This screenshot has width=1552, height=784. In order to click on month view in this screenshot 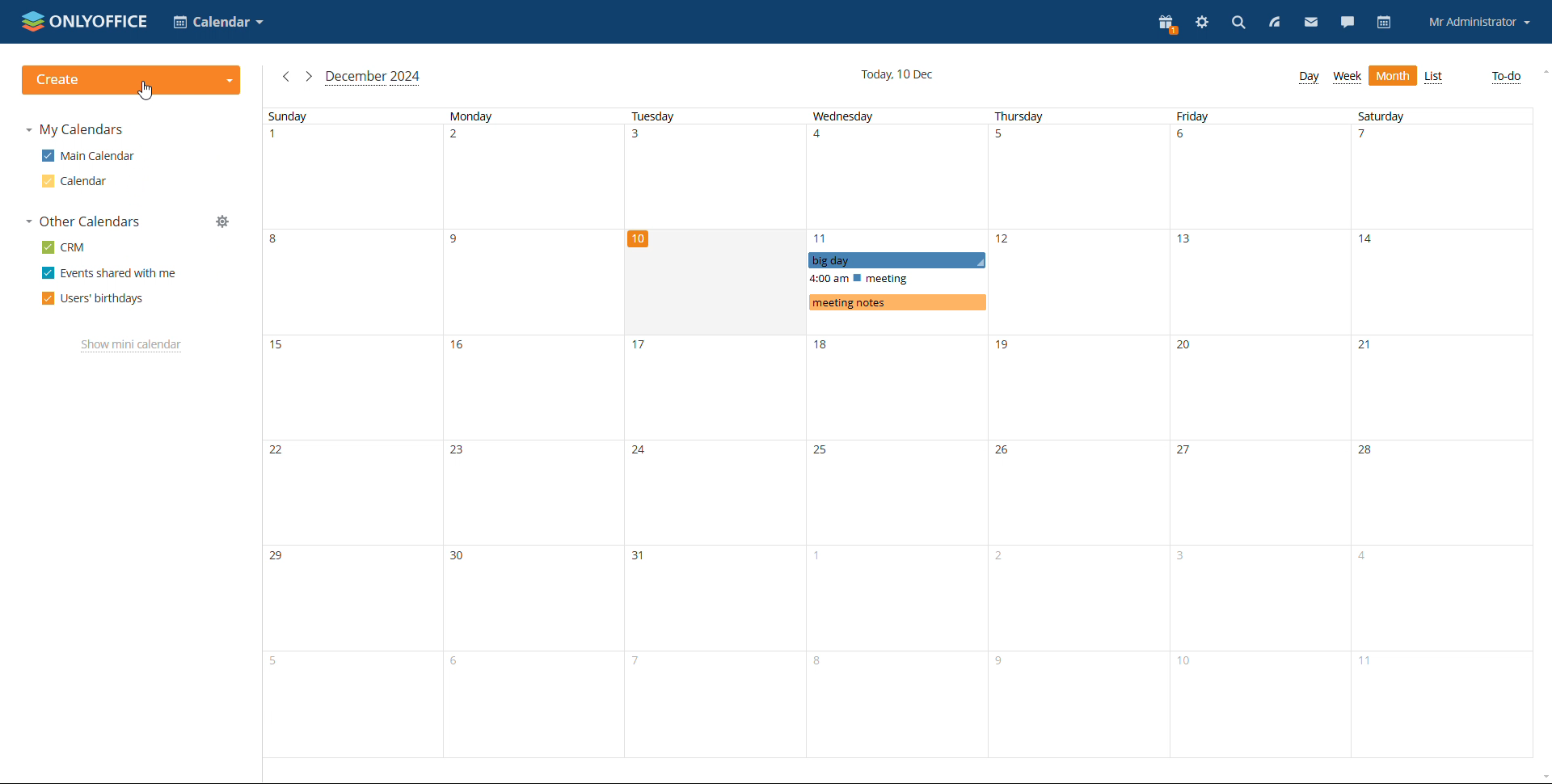, I will do `click(1394, 76)`.